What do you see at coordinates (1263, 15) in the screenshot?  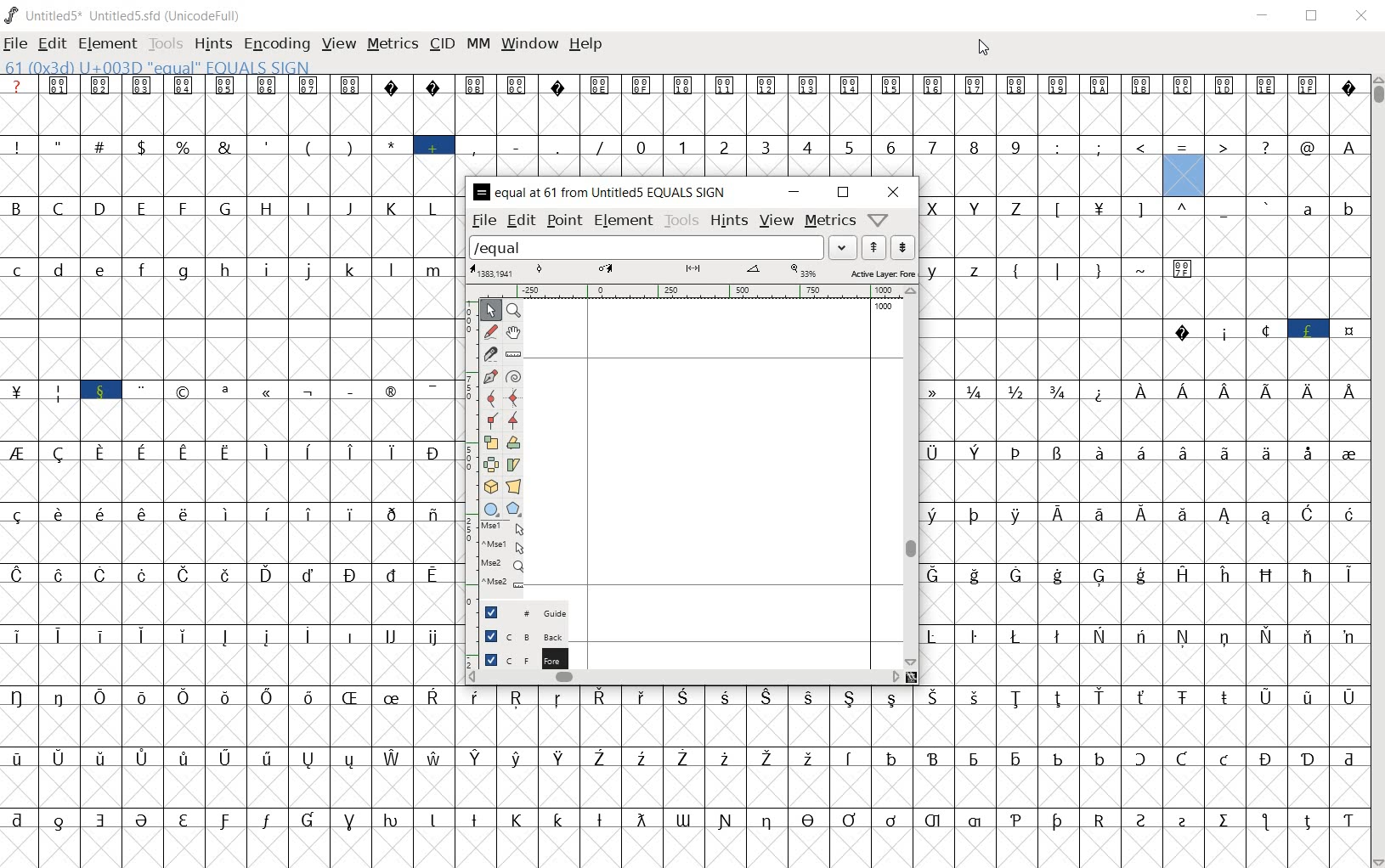 I see `minimize` at bounding box center [1263, 15].